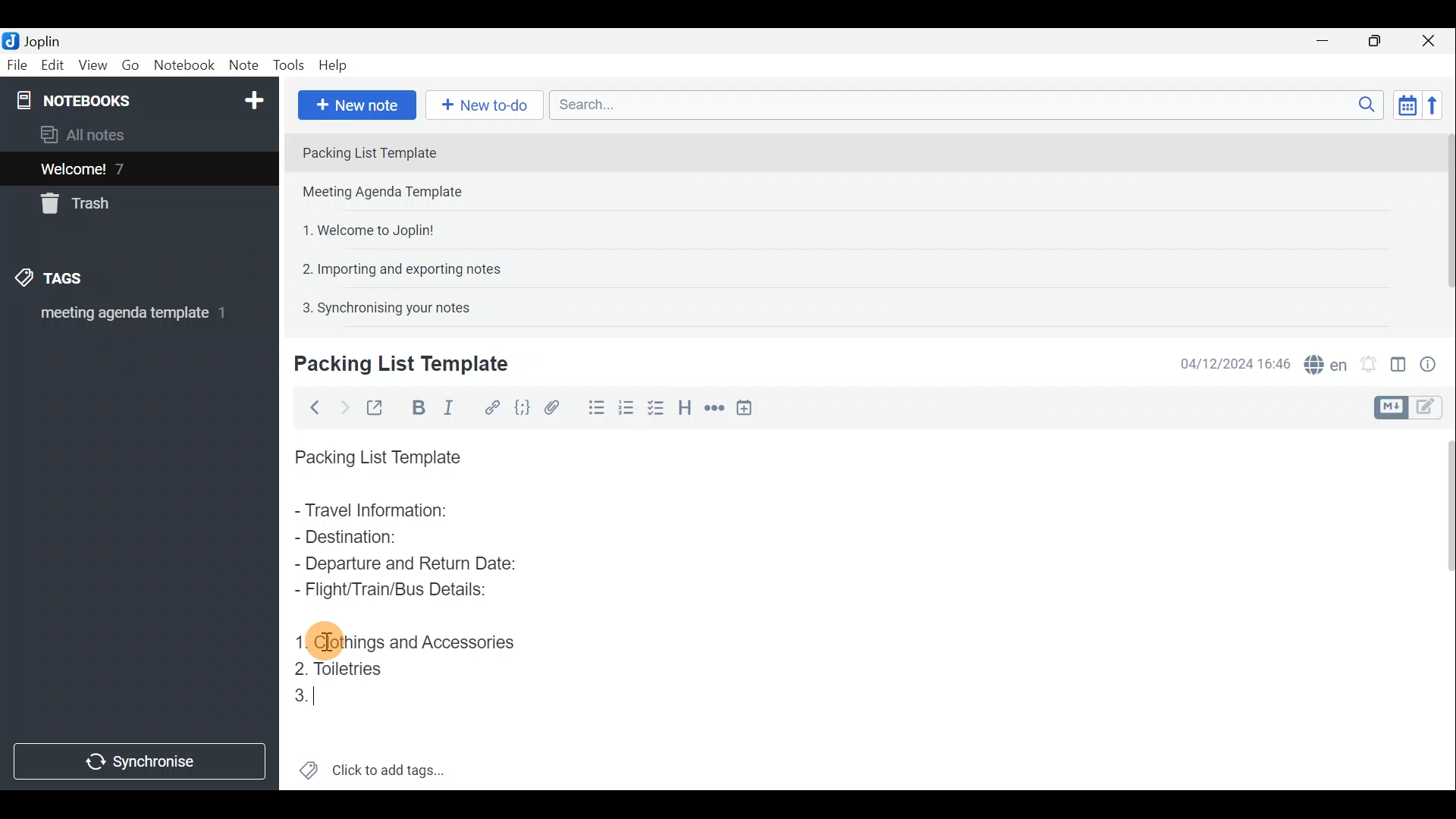 This screenshot has height=819, width=1456. Describe the element at coordinates (392, 365) in the screenshot. I see `Creating new note` at that location.